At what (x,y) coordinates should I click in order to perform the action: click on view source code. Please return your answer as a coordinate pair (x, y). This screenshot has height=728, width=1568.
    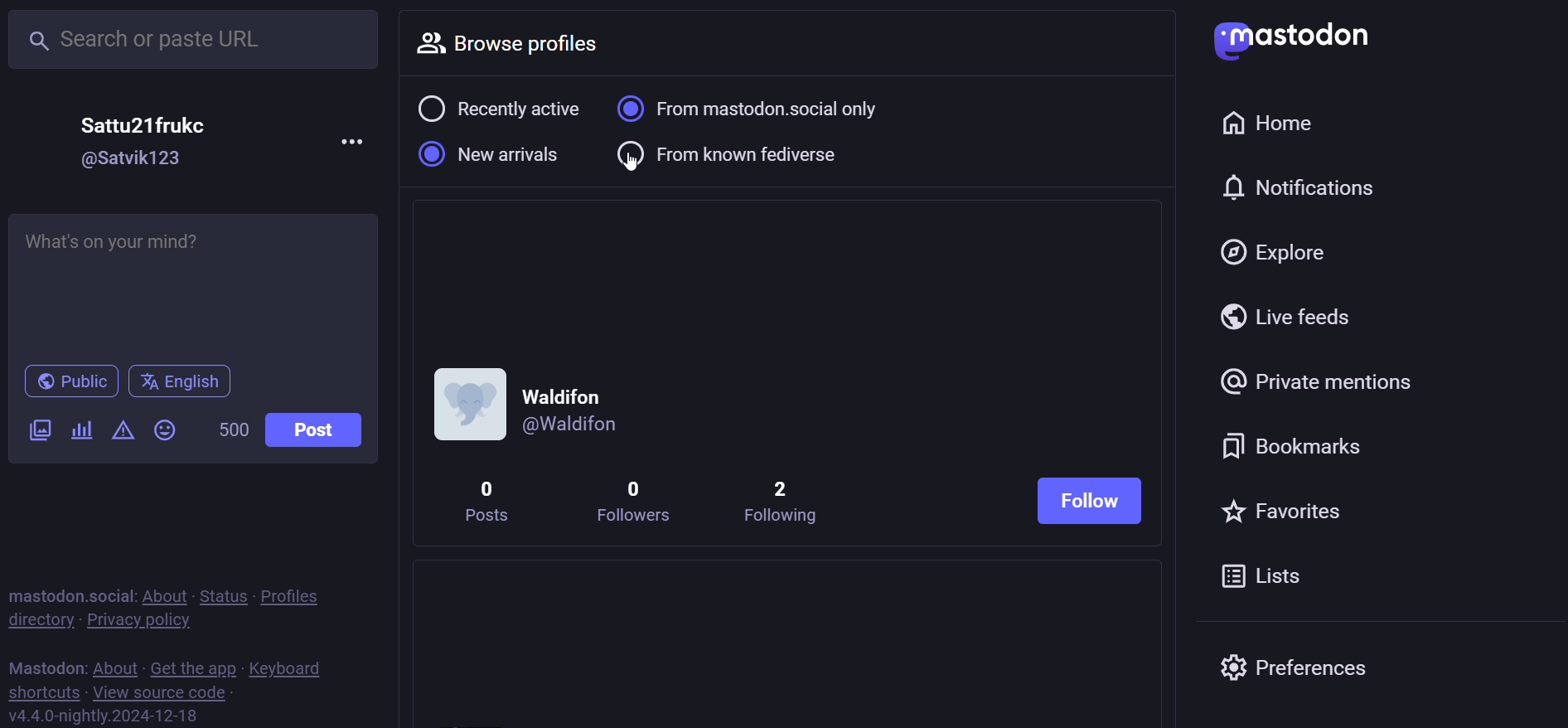
    Looking at the image, I should click on (163, 692).